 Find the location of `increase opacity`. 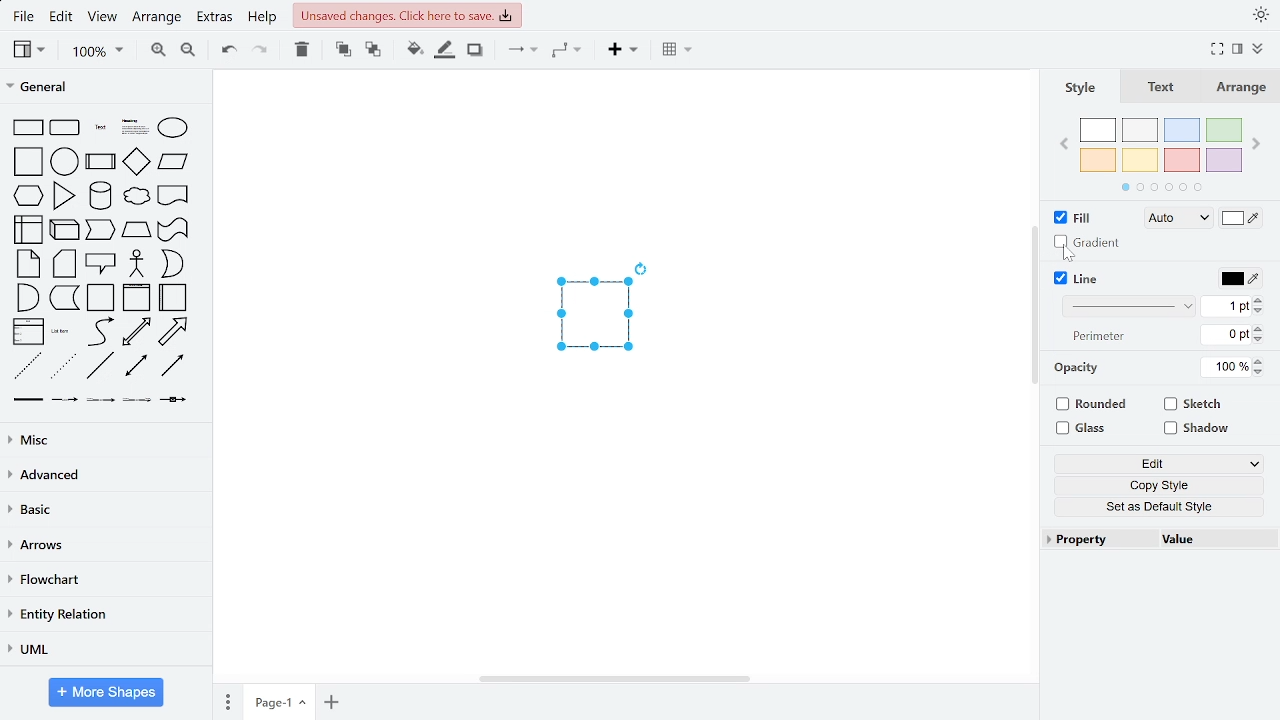

increase opacity is located at coordinates (1258, 362).